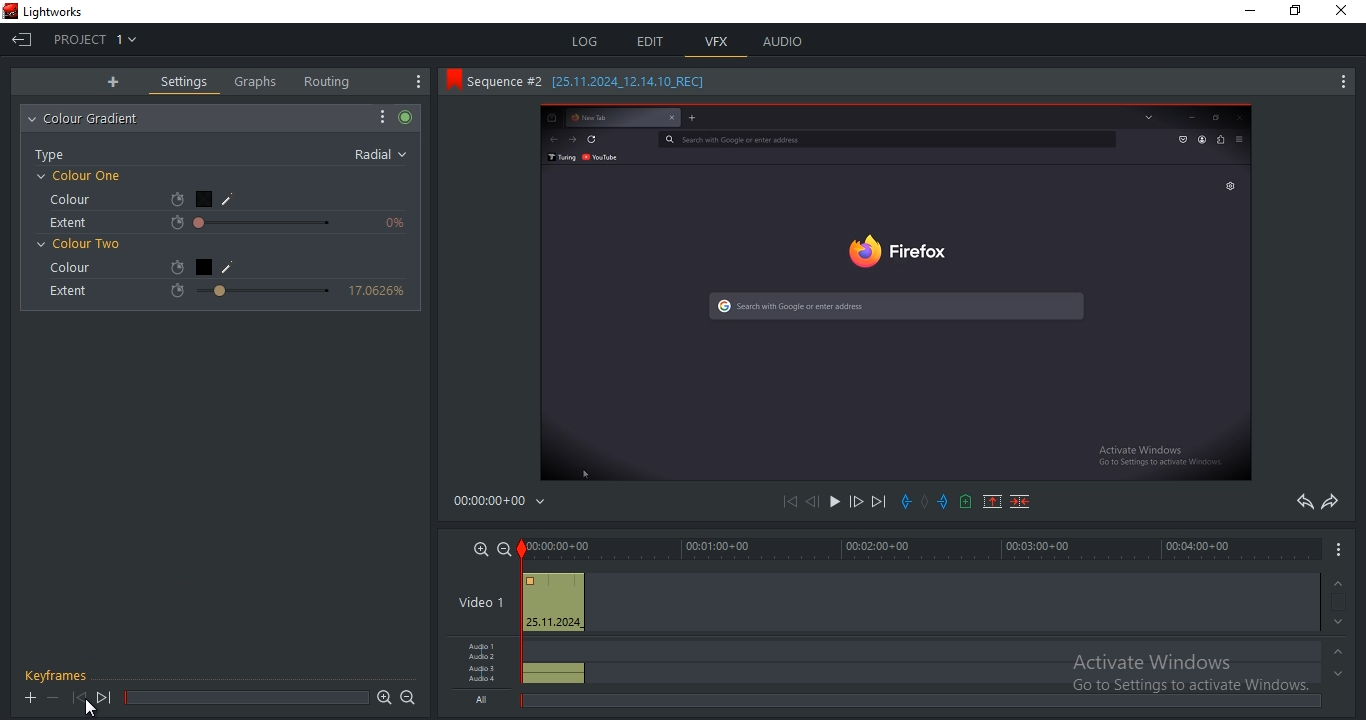  What do you see at coordinates (596, 83) in the screenshot?
I see `Sequence information` at bounding box center [596, 83].